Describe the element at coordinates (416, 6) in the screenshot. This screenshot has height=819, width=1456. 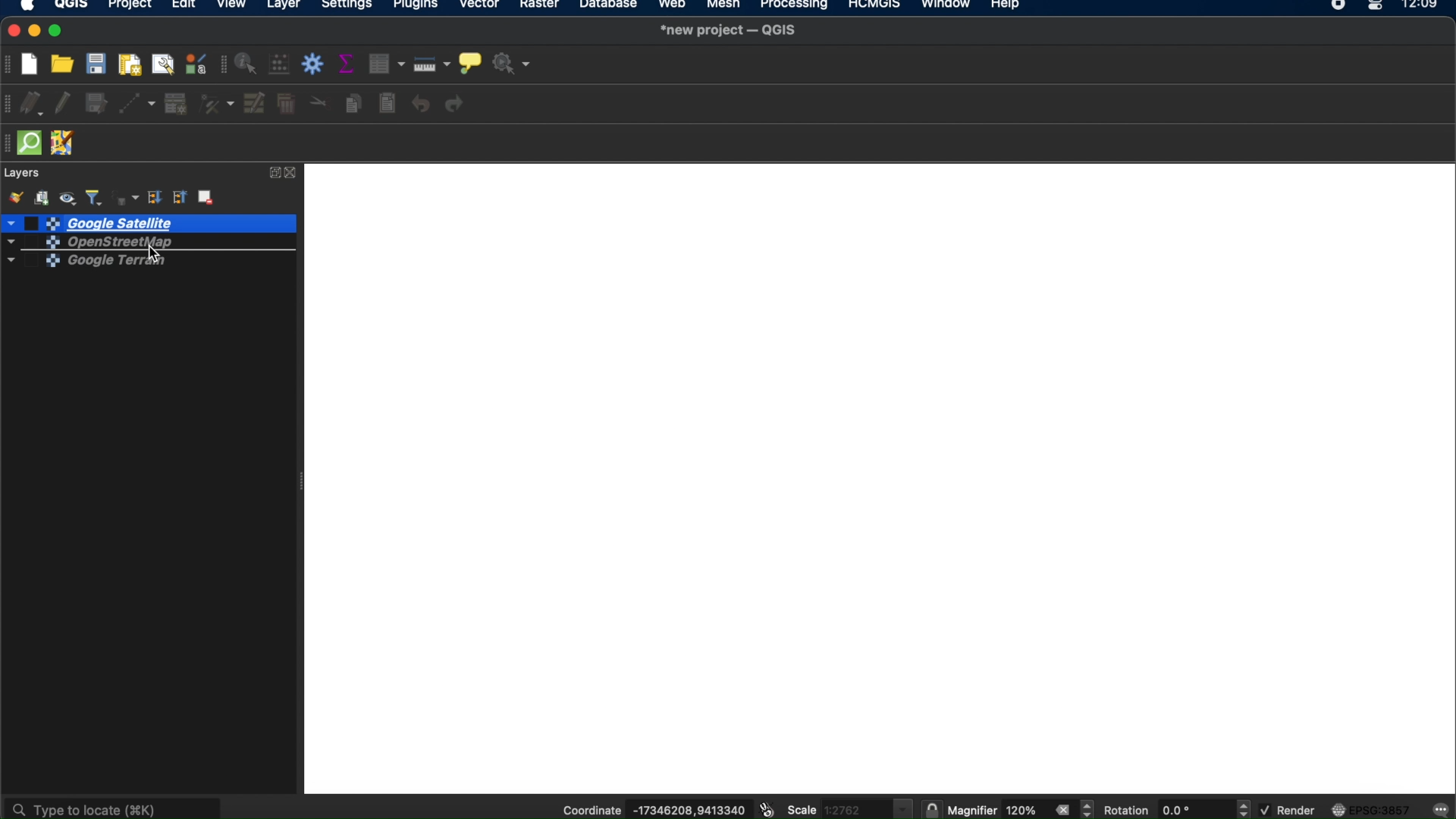
I see `plugins` at that location.